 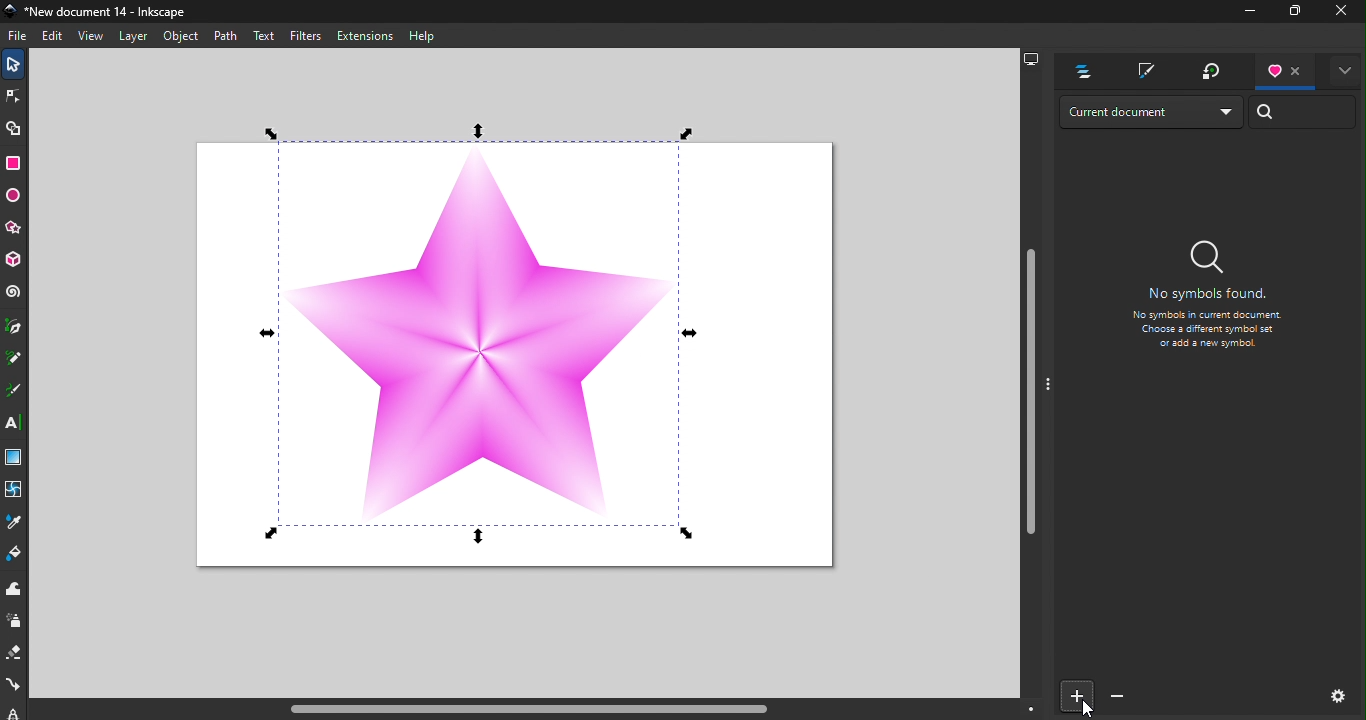 What do you see at coordinates (13, 96) in the screenshot?
I see `Node tool` at bounding box center [13, 96].